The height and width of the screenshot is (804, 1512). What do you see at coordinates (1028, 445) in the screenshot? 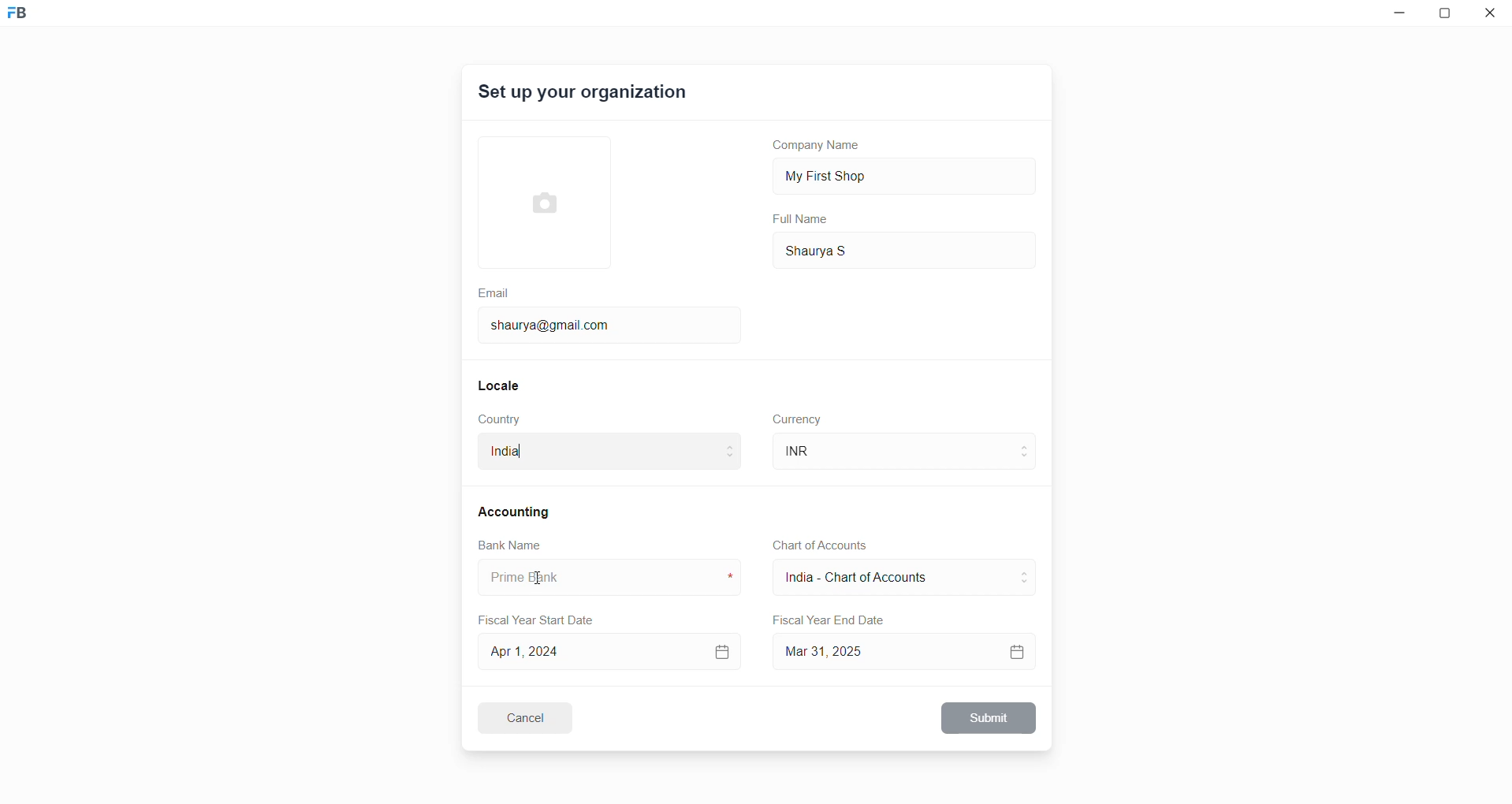
I see `move to above curreny` at bounding box center [1028, 445].